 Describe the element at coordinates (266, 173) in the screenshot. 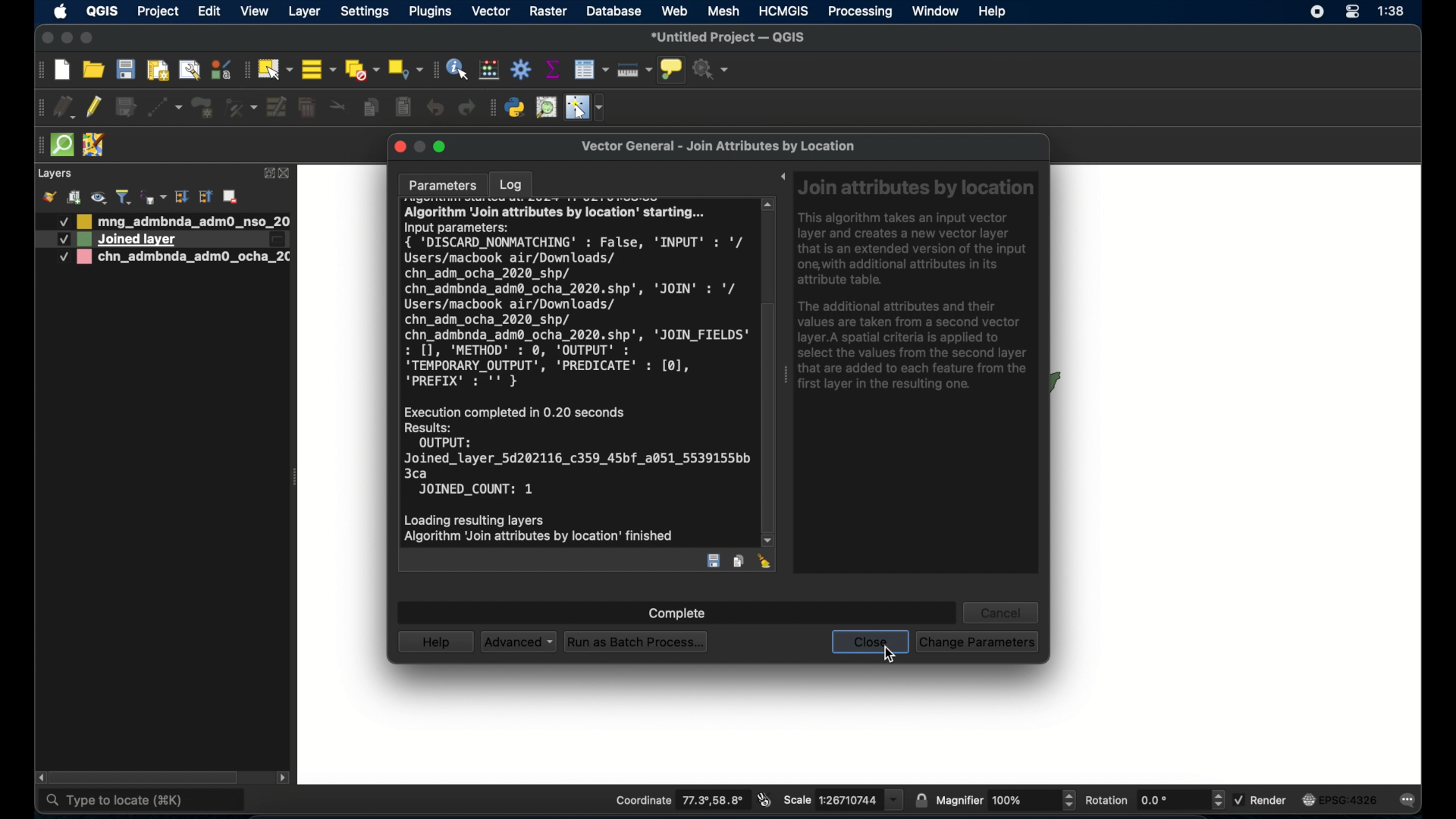

I see `expand` at that location.